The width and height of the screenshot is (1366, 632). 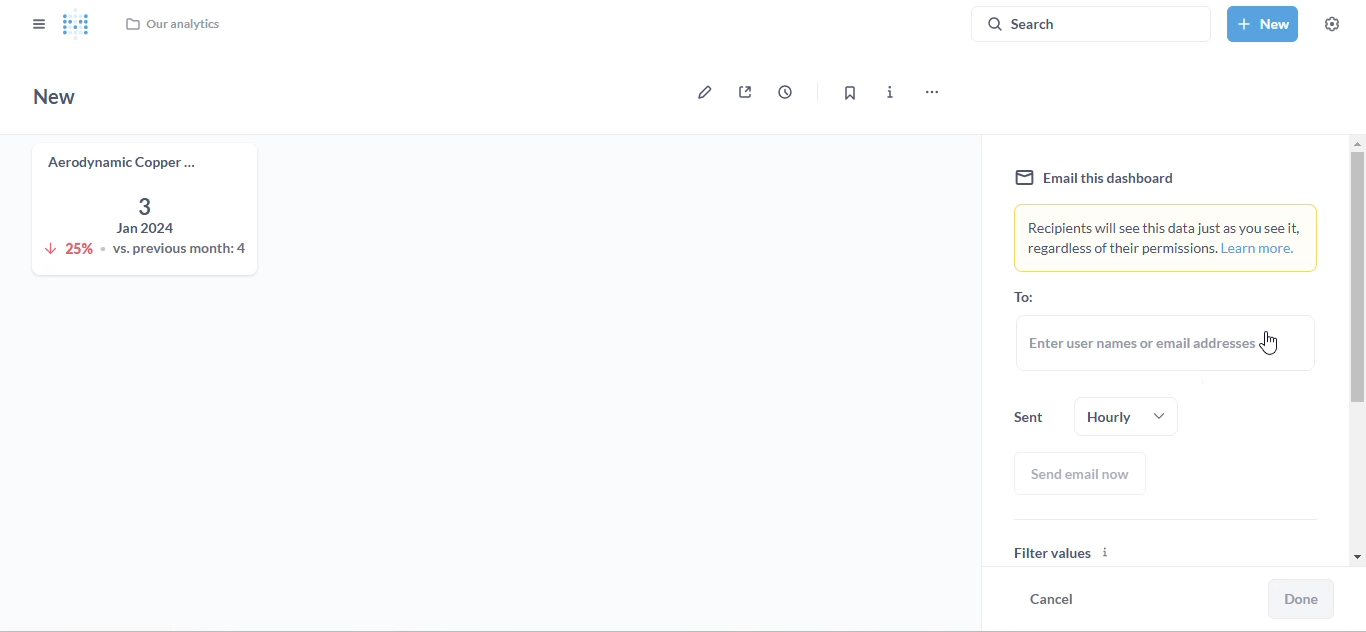 What do you see at coordinates (1170, 542) in the screenshot?
I see `filter values` at bounding box center [1170, 542].